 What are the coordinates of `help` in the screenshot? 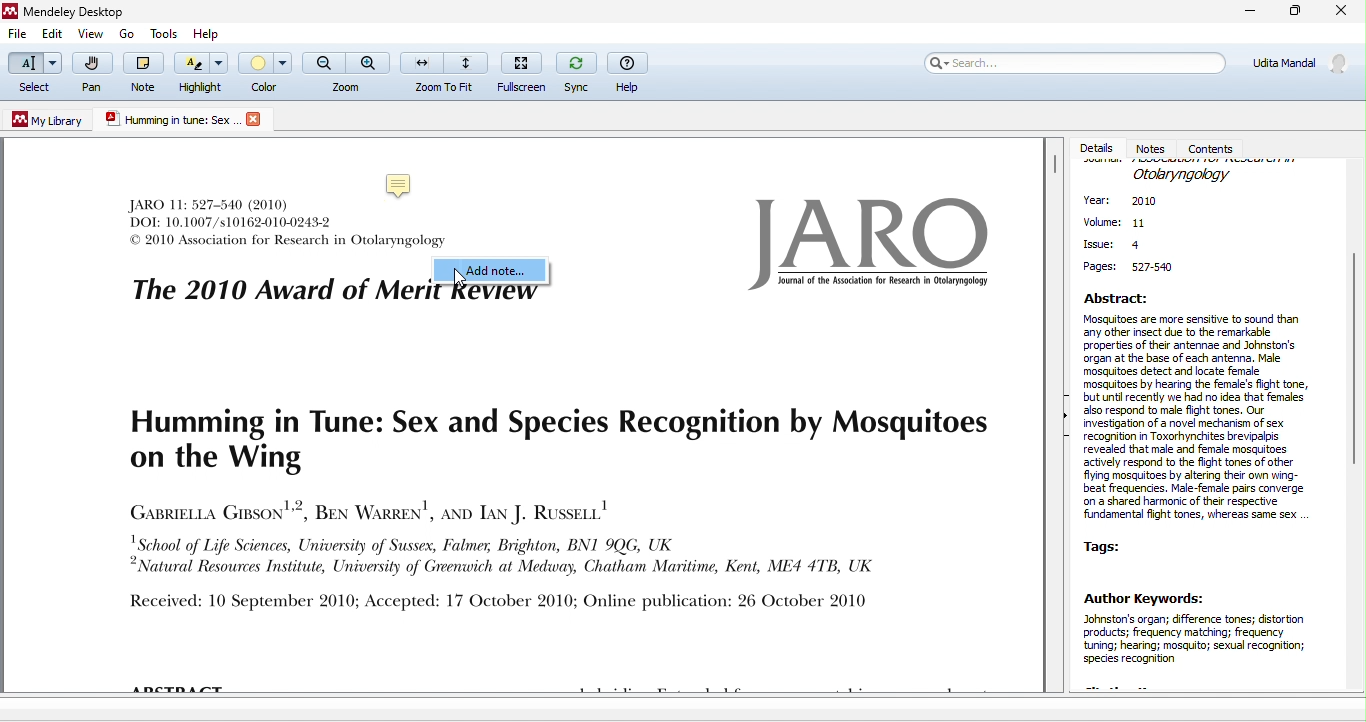 It's located at (208, 34).